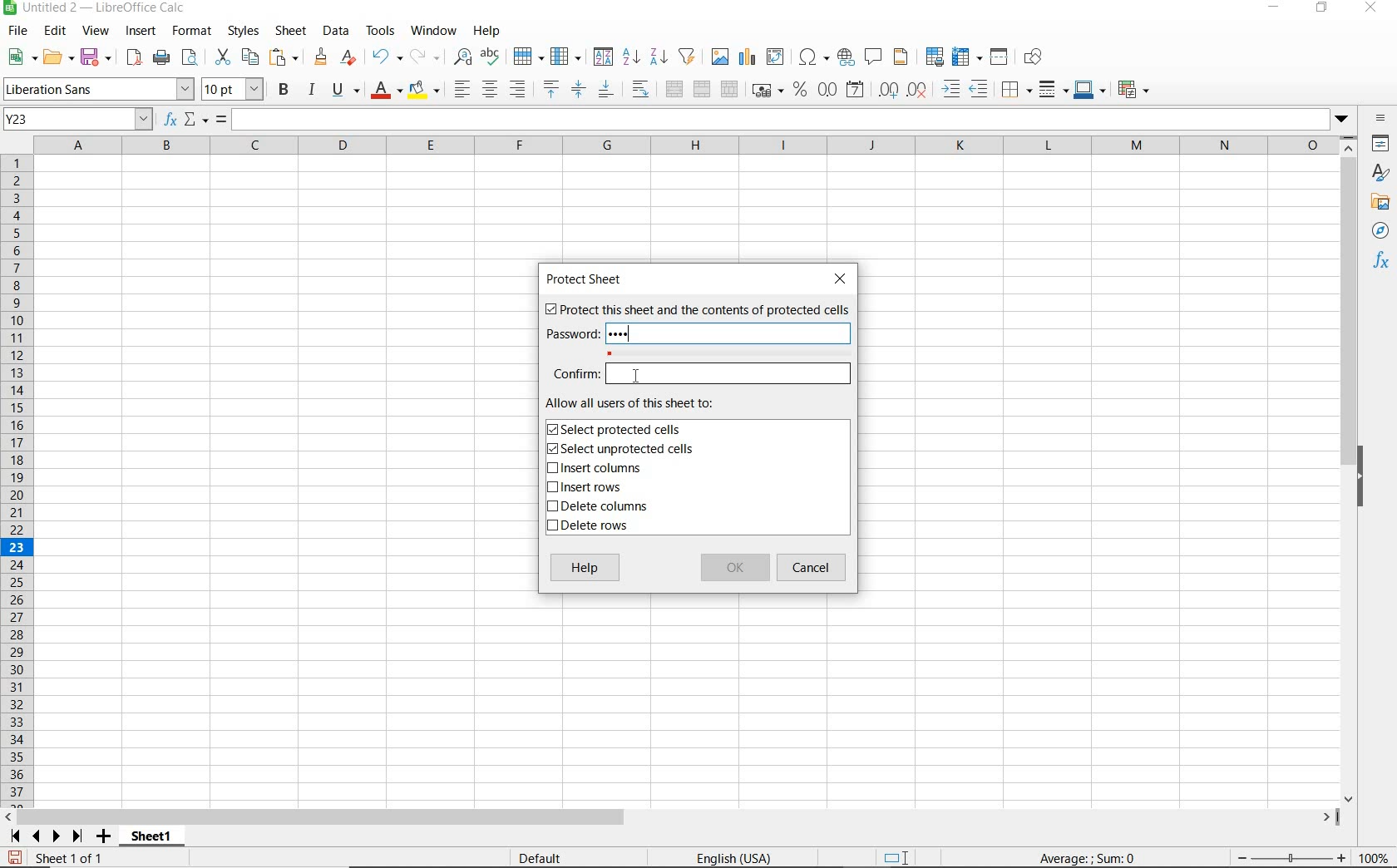 This screenshot has width=1397, height=868. Describe the element at coordinates (844, 279) in the screenshot. I see `CLOSE` at that location.